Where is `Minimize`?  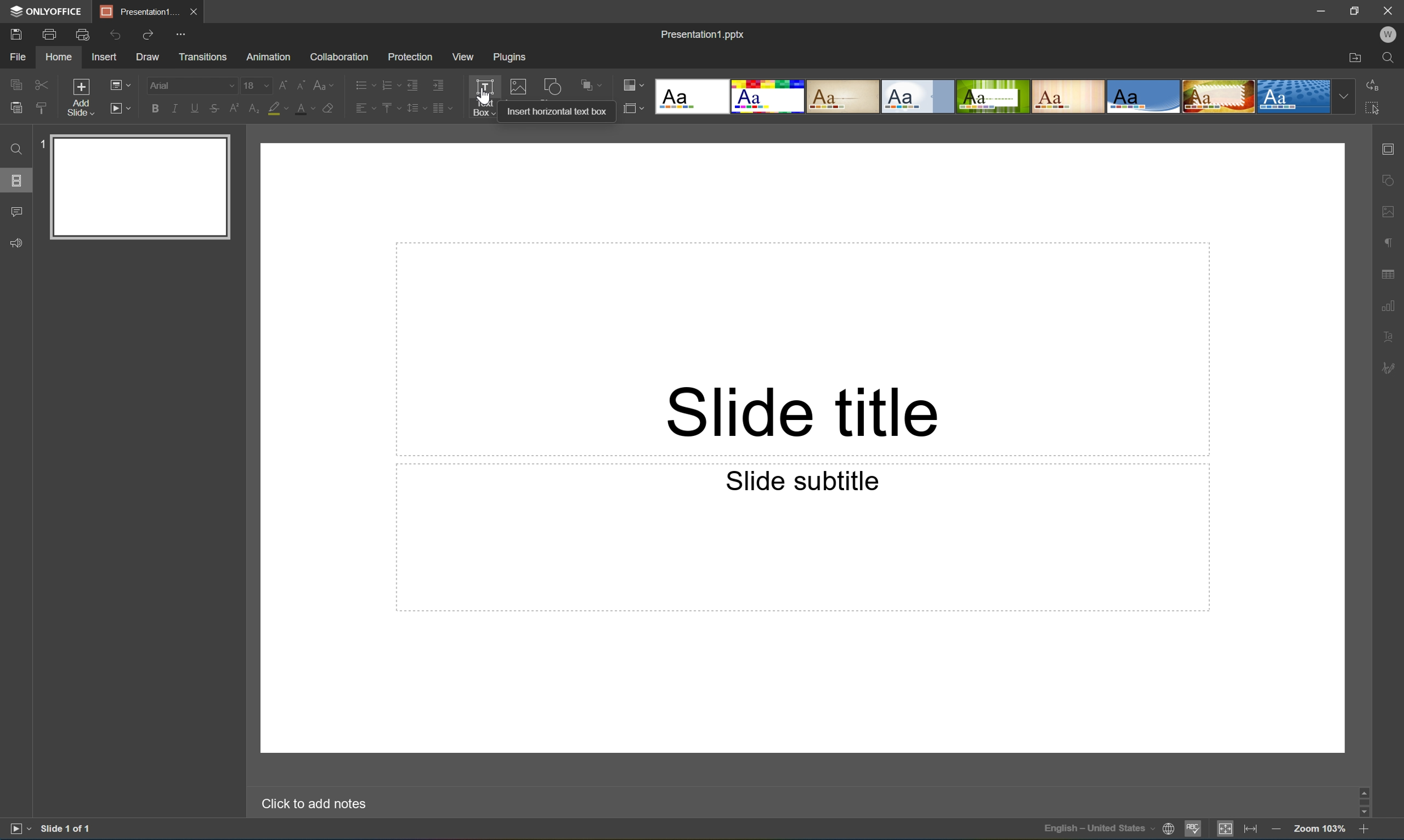
Minimize is located at coordinates (1325, 11).